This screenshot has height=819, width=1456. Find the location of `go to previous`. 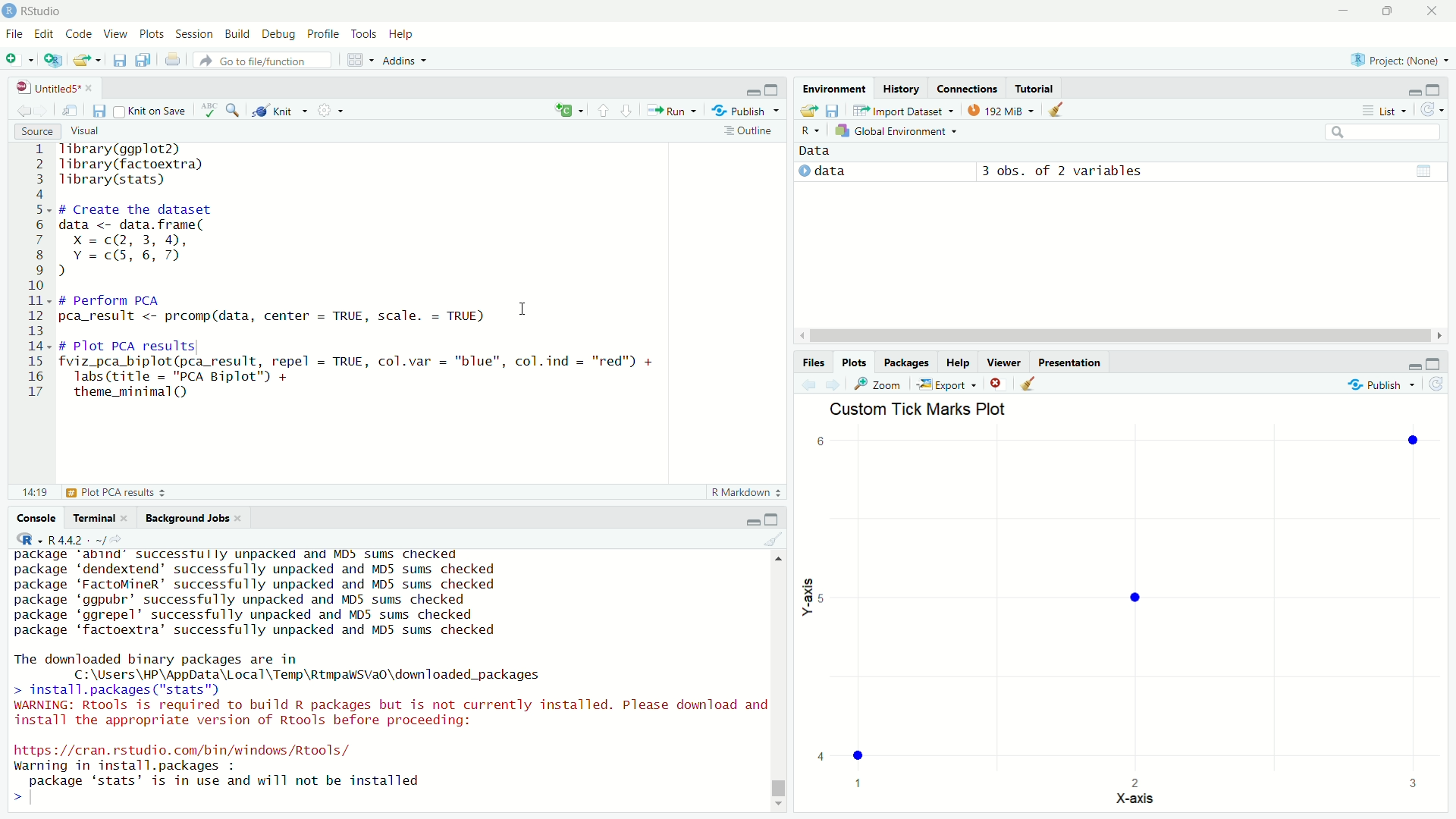

go to previous is located at coordinates (603, 110).